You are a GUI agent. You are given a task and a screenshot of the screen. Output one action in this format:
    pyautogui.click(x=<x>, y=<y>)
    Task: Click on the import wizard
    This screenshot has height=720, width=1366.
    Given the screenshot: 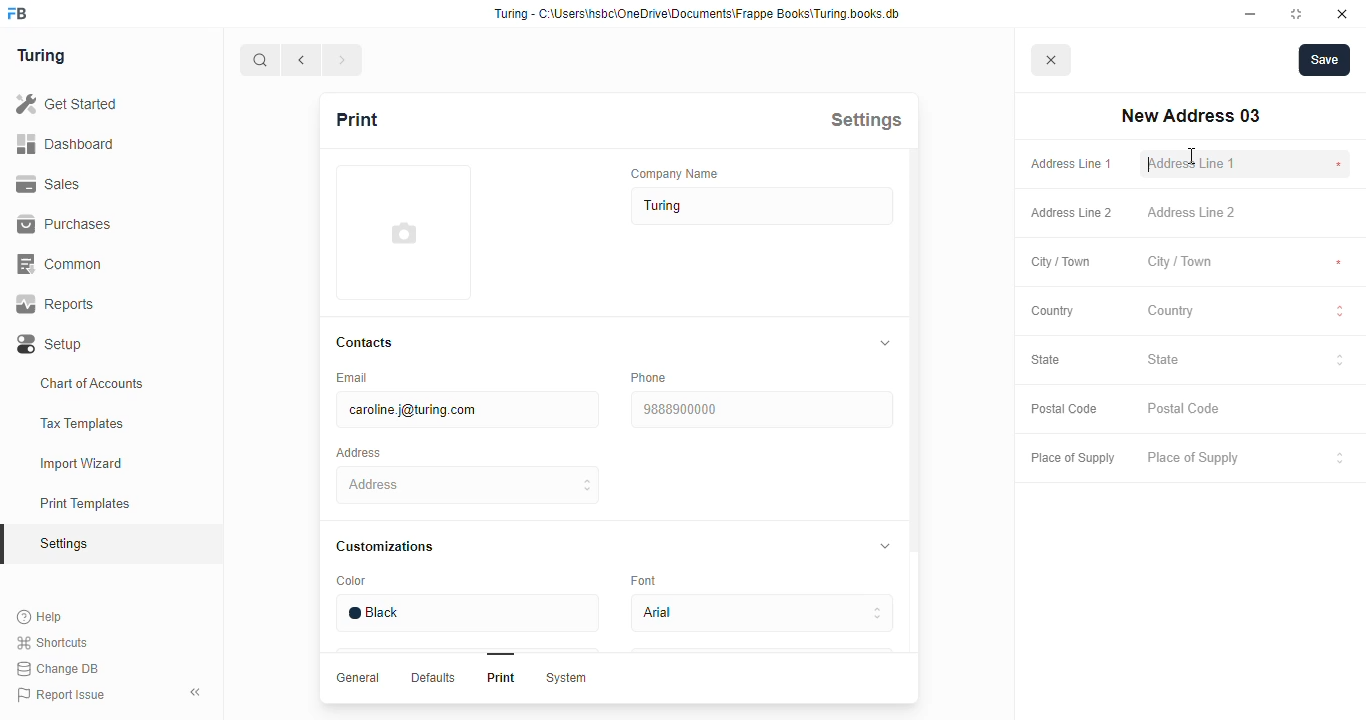 What is the action you would take?
    pyautogui.click(x=82, y=464)
    